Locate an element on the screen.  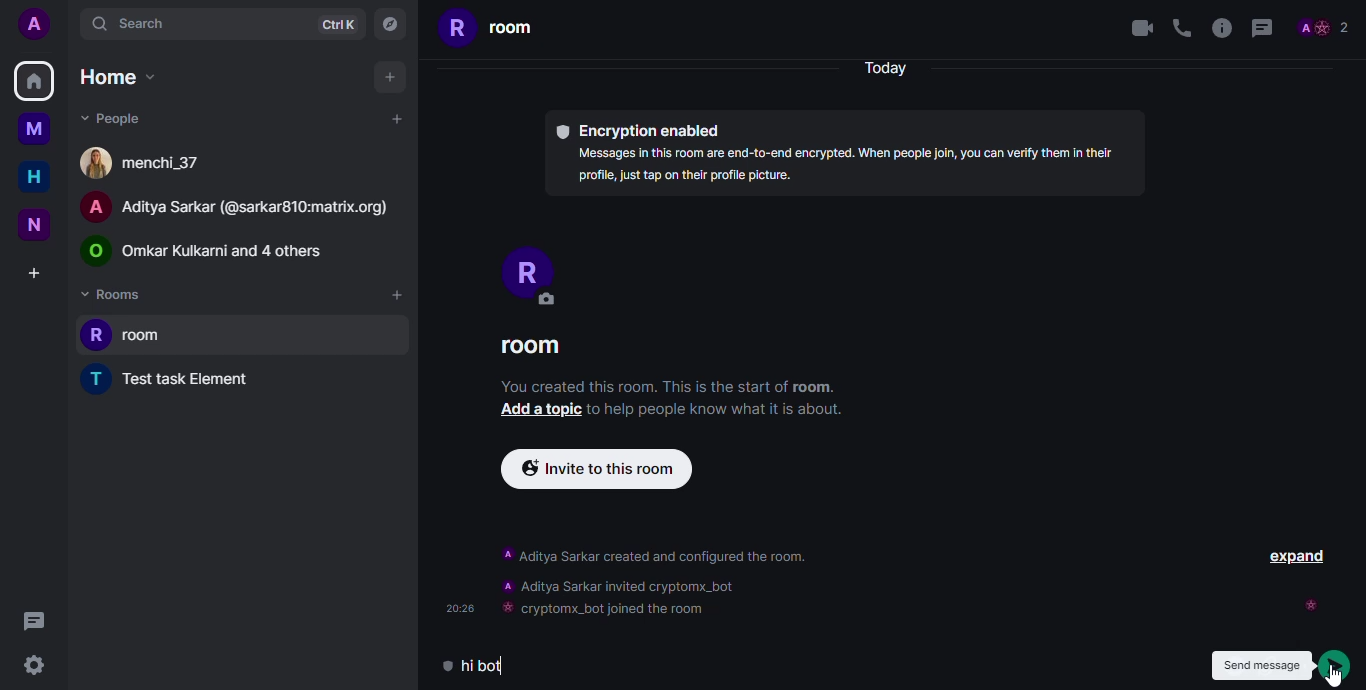
EXPAND is located at coordinates (1296, 554).